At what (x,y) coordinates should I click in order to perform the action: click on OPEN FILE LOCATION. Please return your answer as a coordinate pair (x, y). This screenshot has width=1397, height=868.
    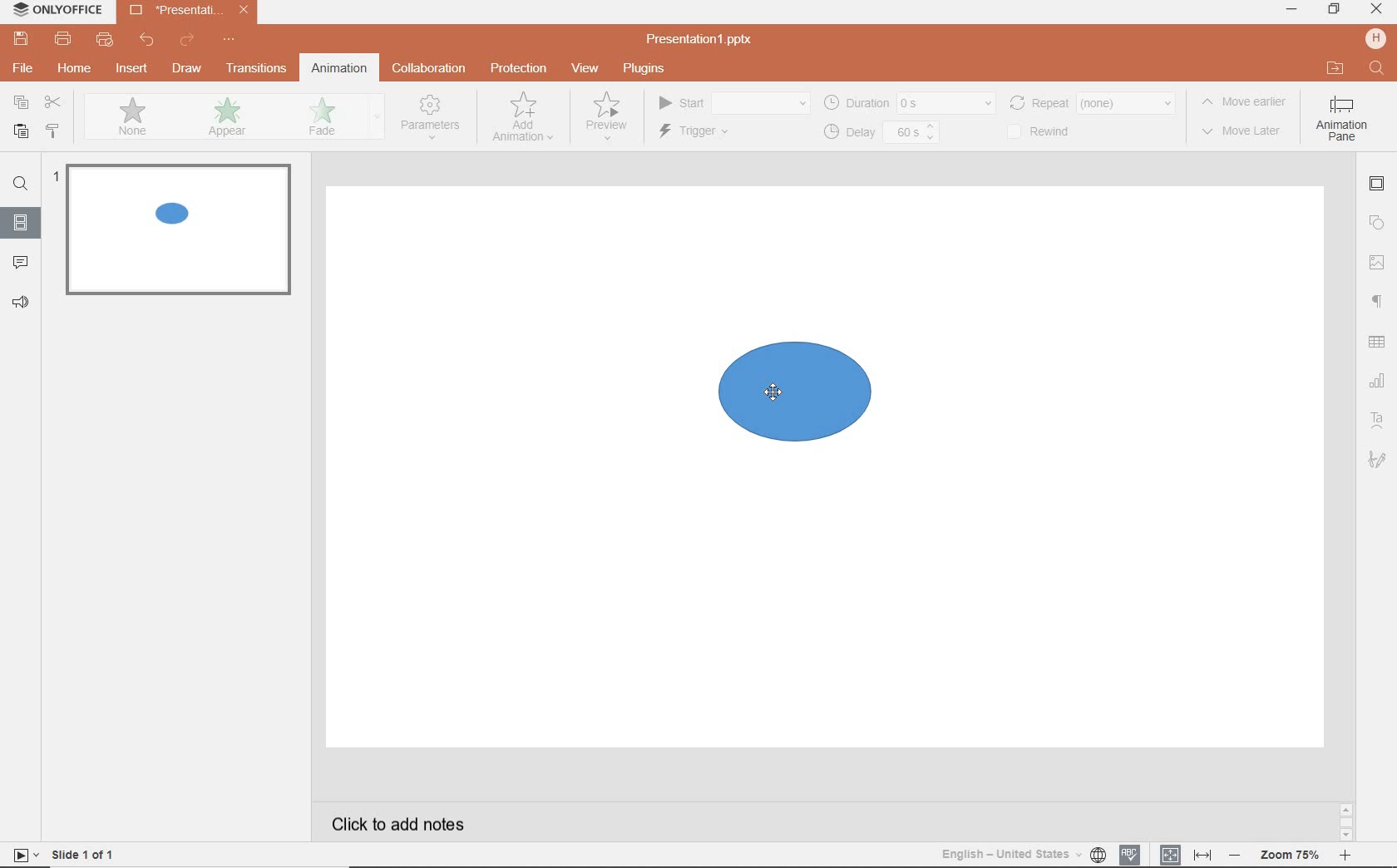
    Looking at the image, I should click on (1335, 69).